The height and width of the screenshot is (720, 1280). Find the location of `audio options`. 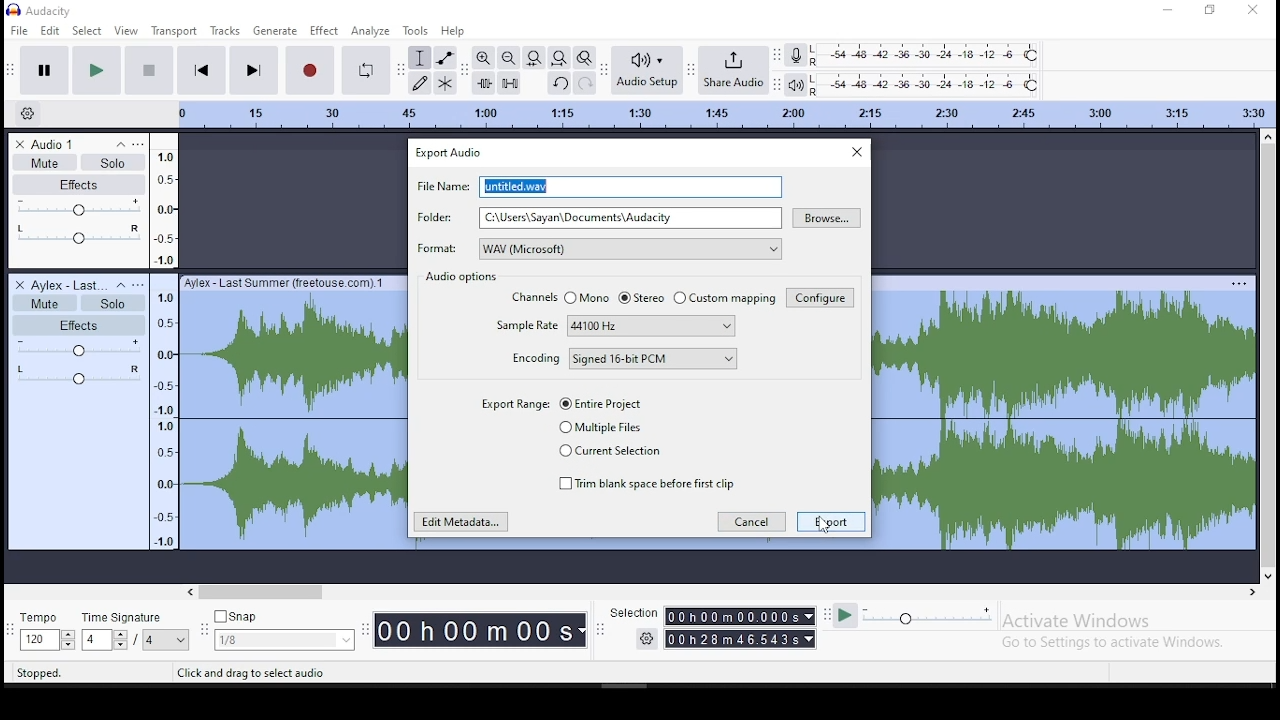

audio options is located at coordinates (461, 277).